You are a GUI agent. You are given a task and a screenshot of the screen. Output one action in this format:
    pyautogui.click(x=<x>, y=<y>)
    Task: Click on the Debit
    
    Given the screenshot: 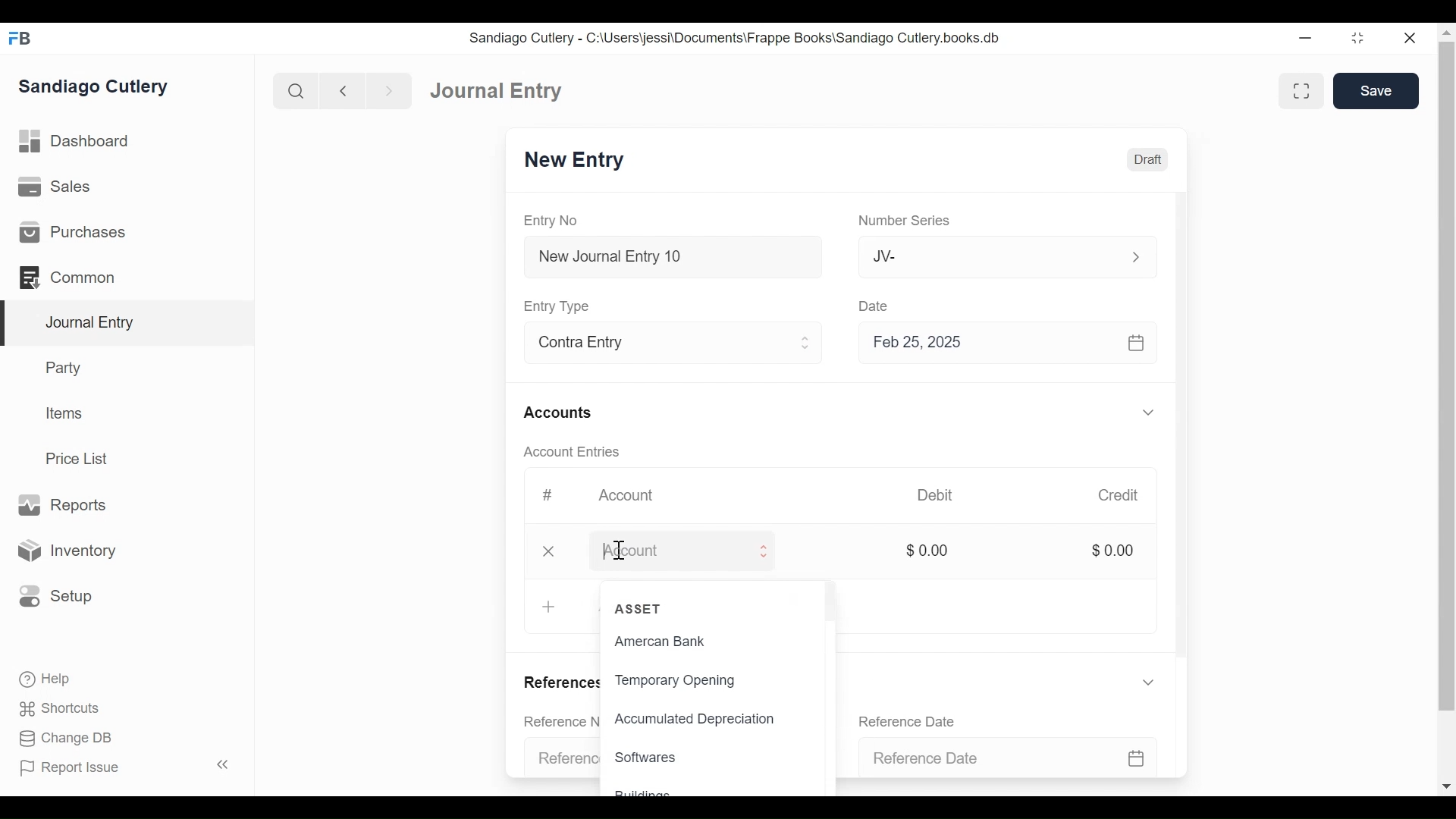 What is the action you would take?
    pyautogui.click(x=943, y=495)
    